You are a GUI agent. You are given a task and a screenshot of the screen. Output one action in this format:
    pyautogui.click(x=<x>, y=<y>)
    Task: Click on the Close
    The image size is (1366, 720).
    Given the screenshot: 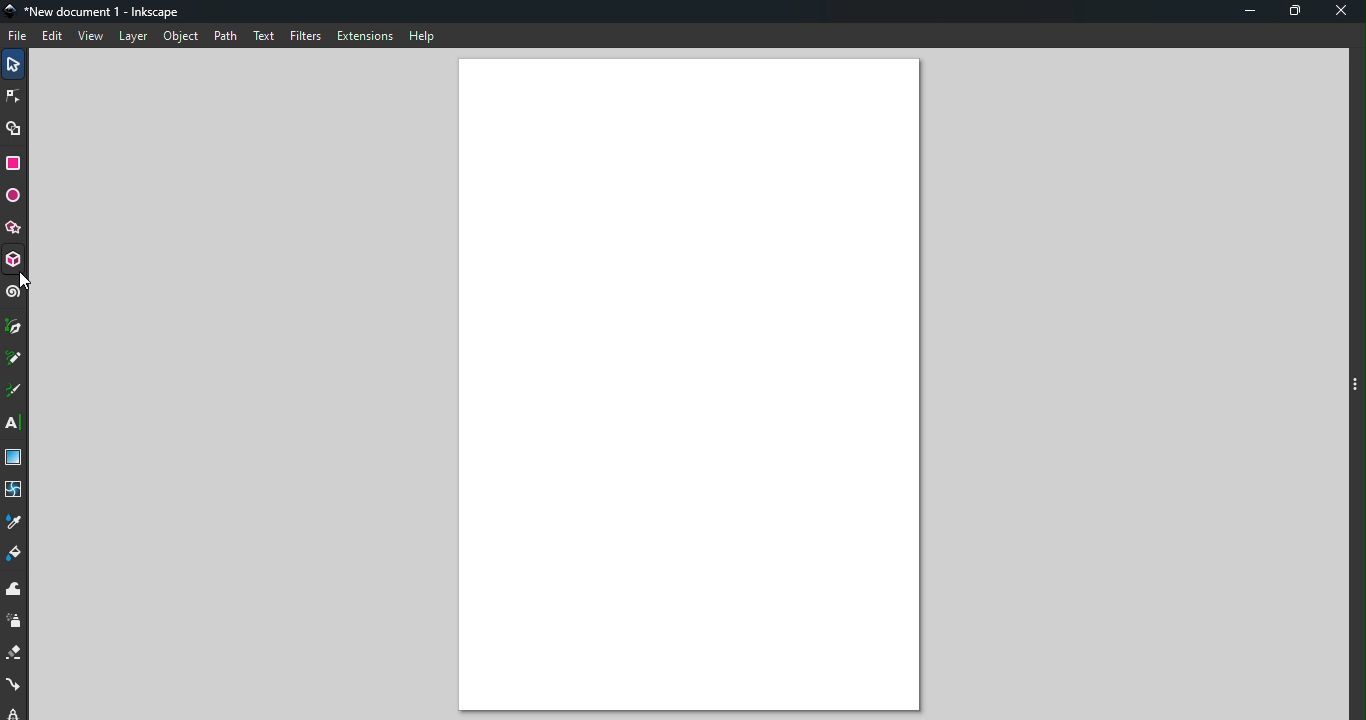 What is the action you would take?
    pyautogui.click(x=1341, y=14)
    